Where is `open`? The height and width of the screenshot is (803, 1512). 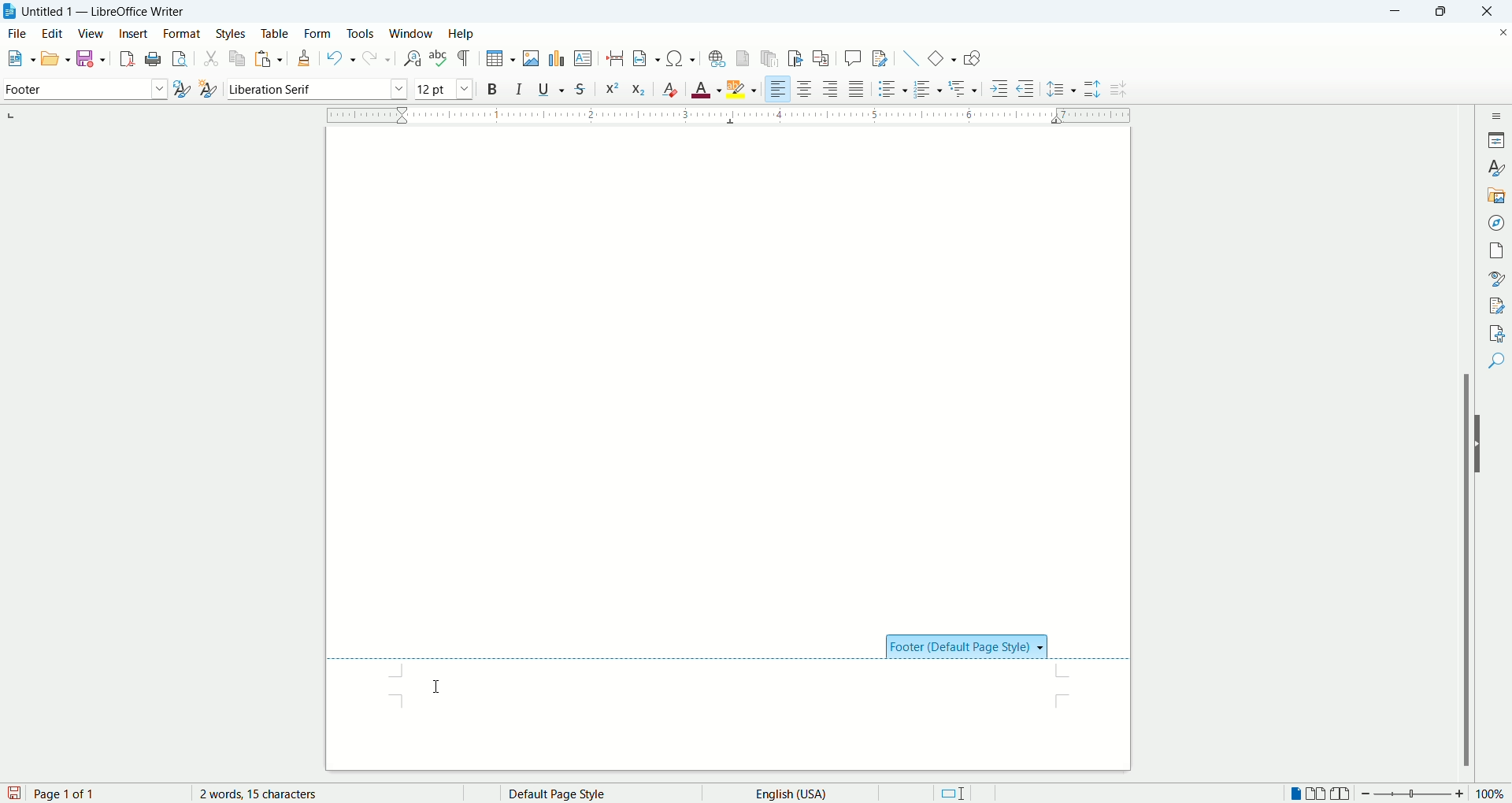
open is located at coordinates (17, 60).